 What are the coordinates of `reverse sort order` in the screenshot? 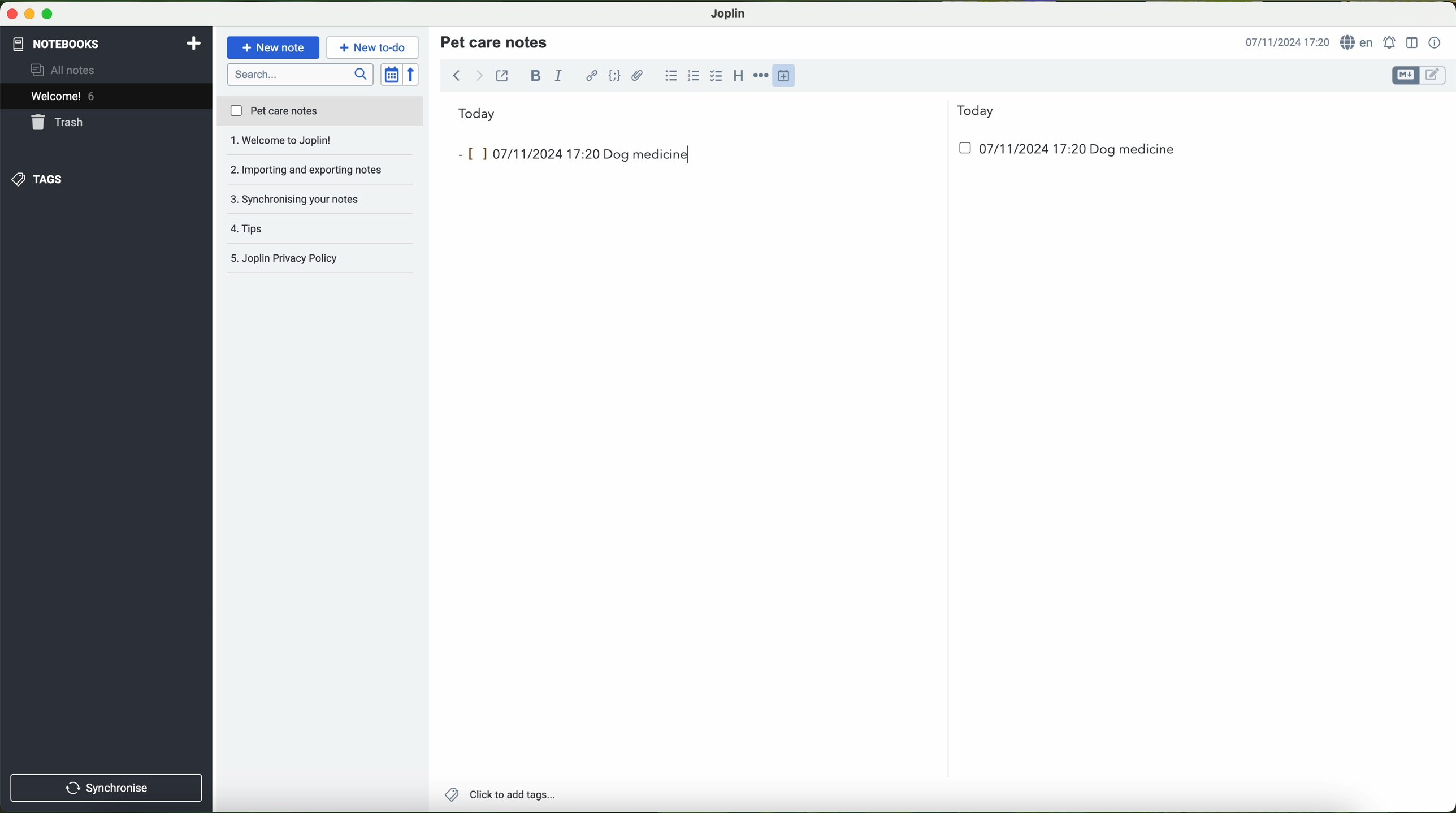 It's located at (414, 75).